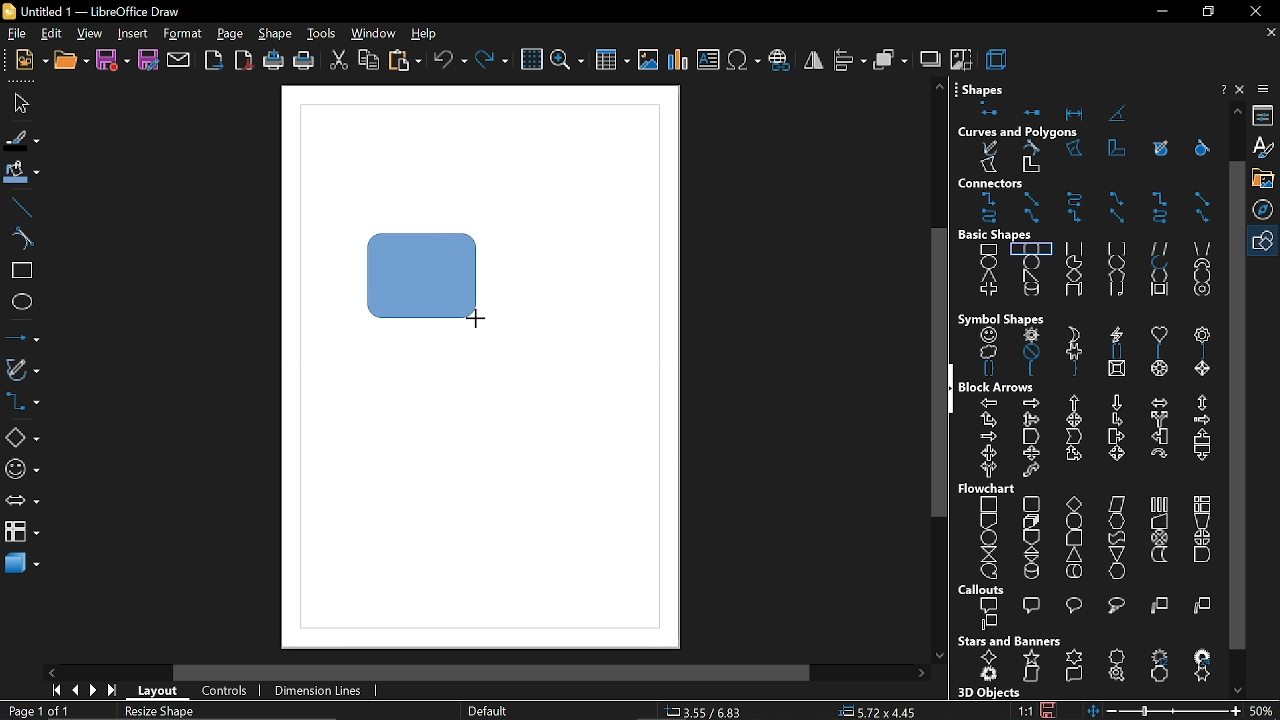 The height and width of the screenshot is (720, 1280). Describe the element at coordinates (1092, 273) in the screenshot. I see `basic shapes` at that location.